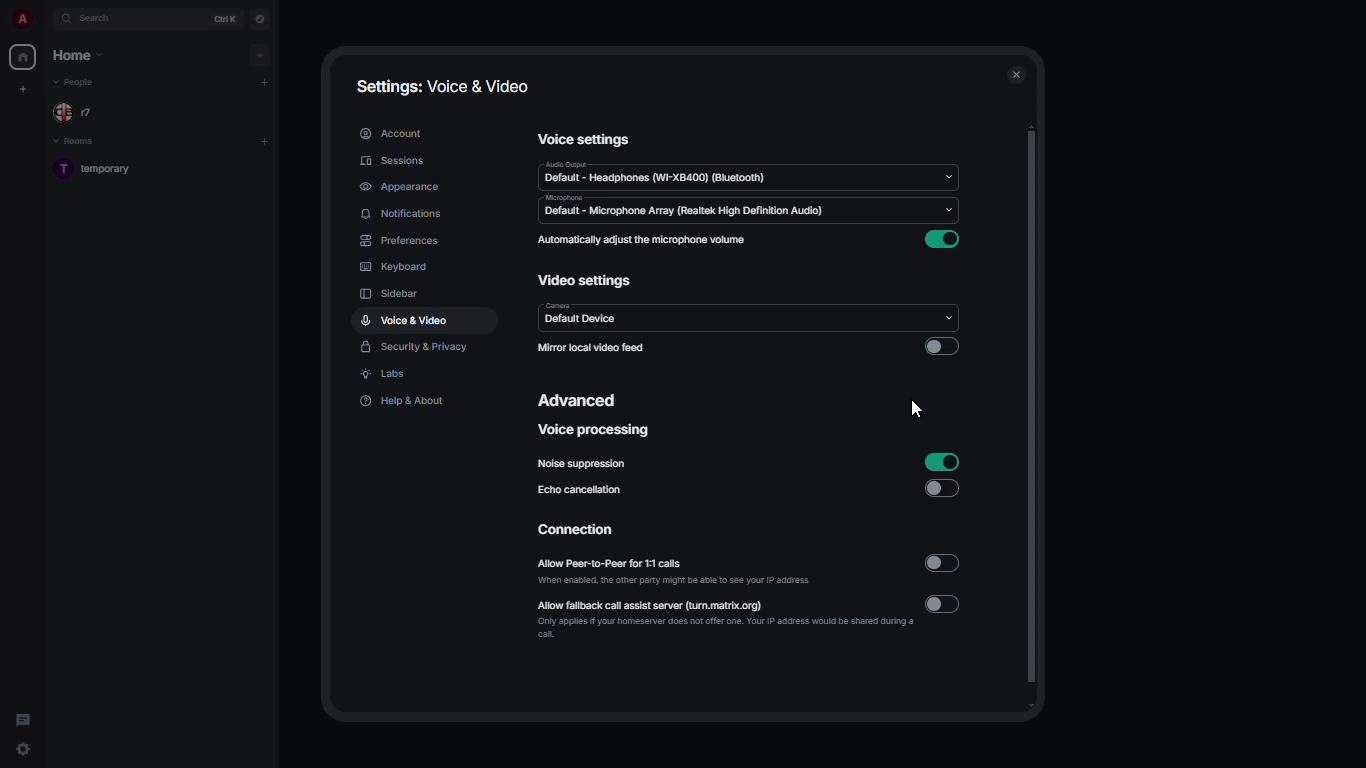 The width and height of the screenshot is (1366, 768). I want to click on add, so click(265, 82).